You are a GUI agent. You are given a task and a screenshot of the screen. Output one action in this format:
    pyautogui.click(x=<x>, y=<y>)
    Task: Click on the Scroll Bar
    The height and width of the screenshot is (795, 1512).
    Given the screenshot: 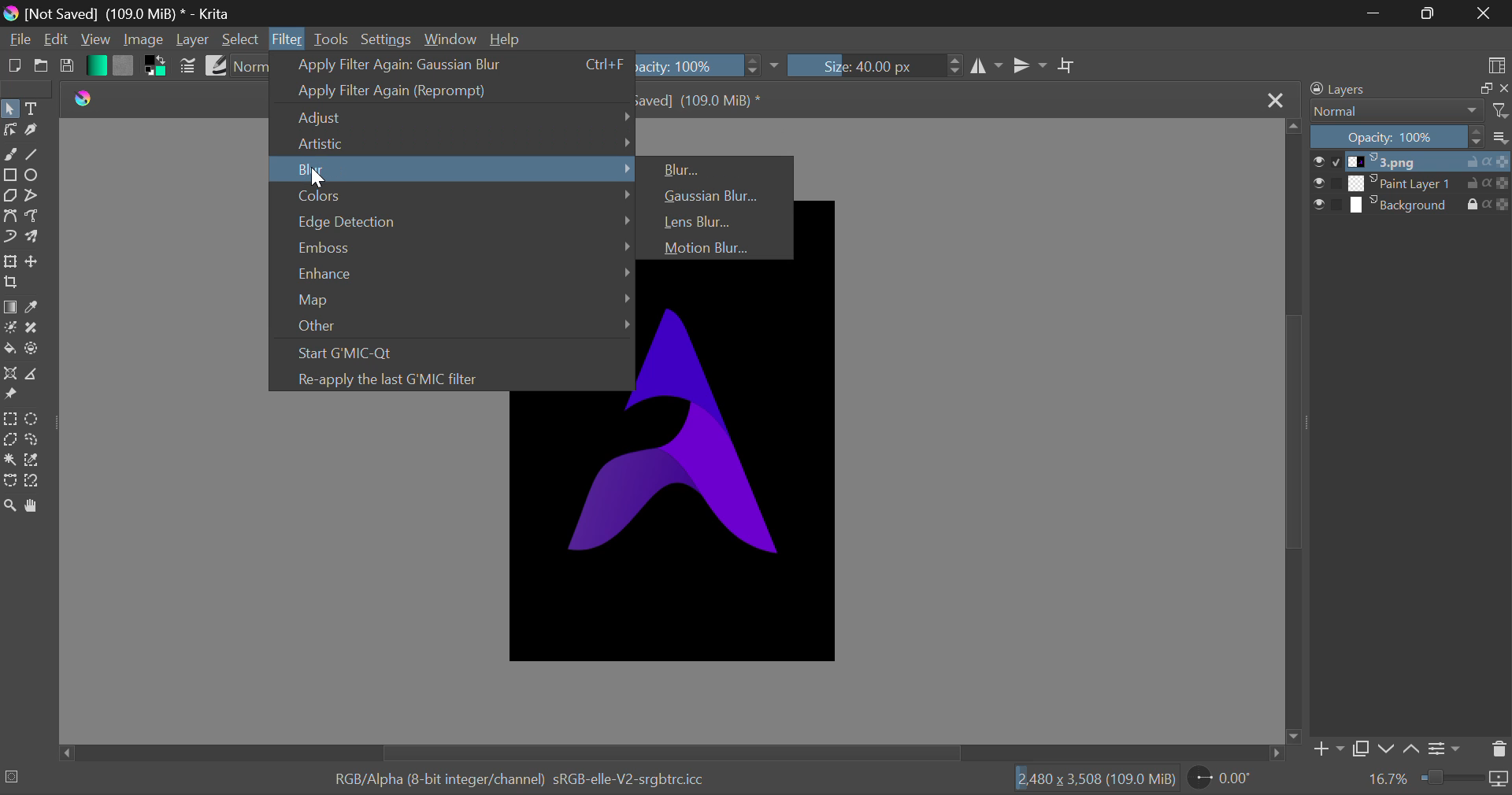 What is the action you would take?
    pyautogui.click(x=675, y=752)
    